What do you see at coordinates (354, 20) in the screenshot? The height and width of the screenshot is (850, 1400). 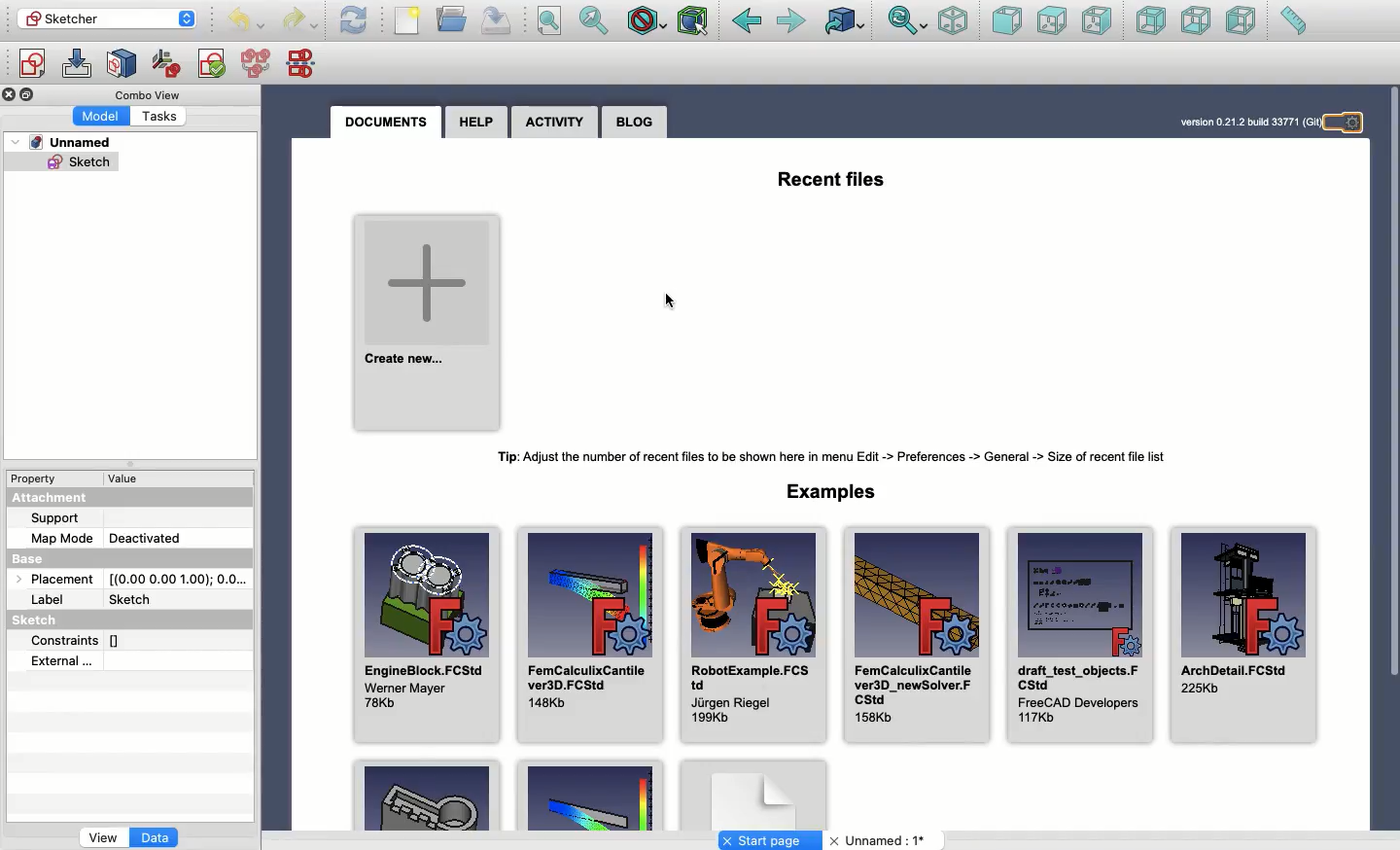 I see `Refresh` at bounding box center [354, 20].